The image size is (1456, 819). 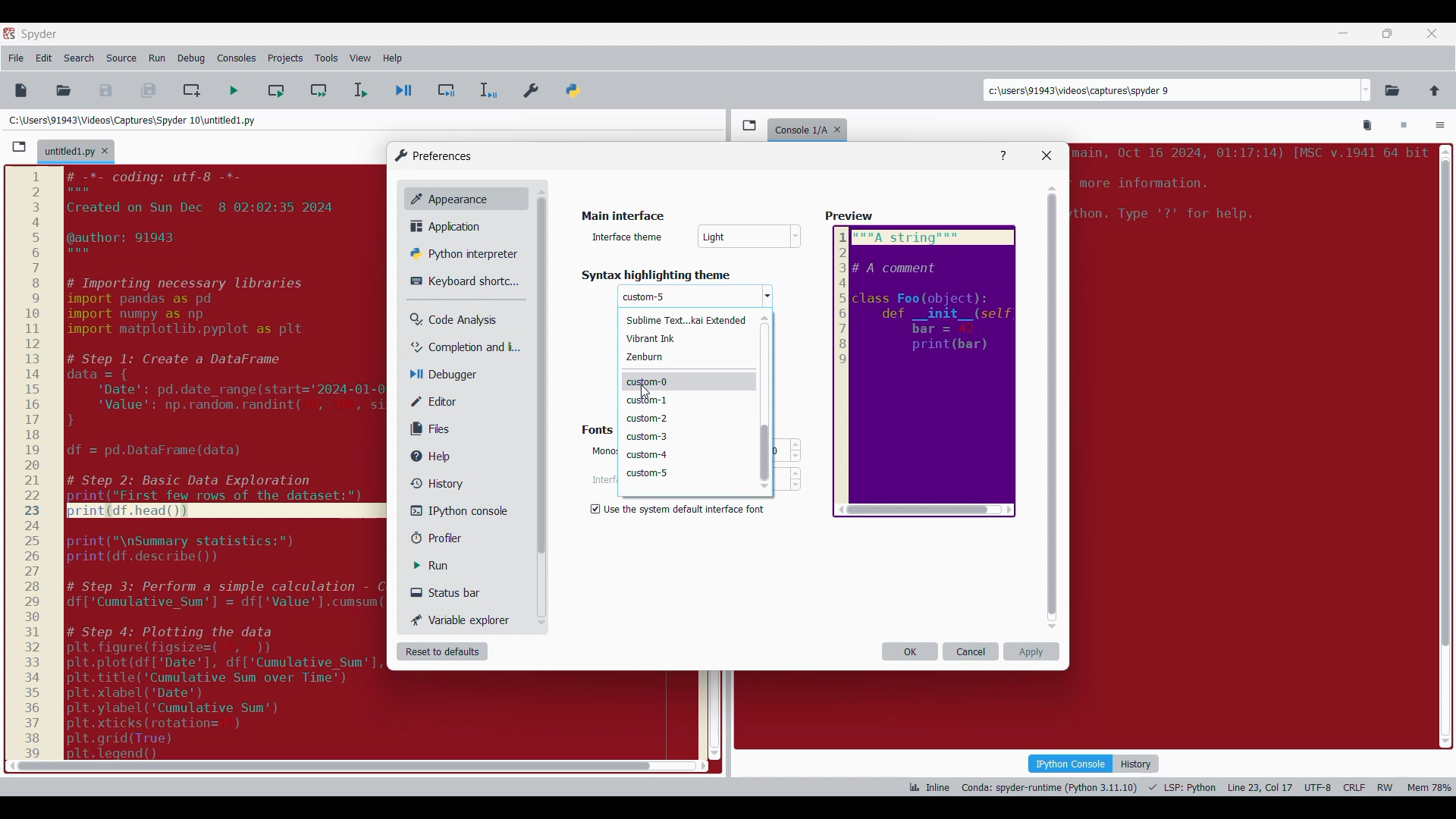 I want to click on Preview reflecting selected color, so click(x=923, y=372).